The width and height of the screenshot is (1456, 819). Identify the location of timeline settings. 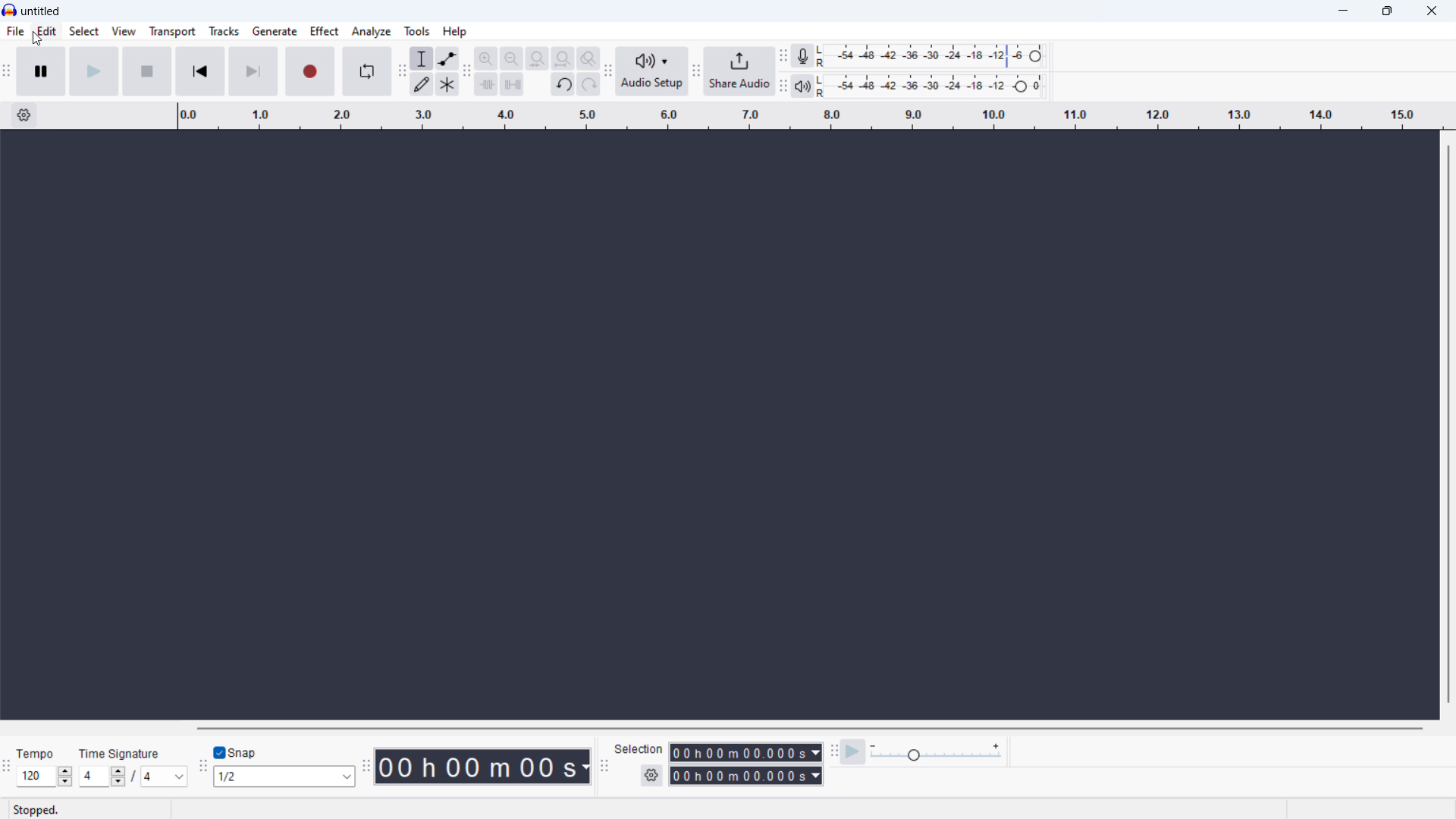
(24, 116).